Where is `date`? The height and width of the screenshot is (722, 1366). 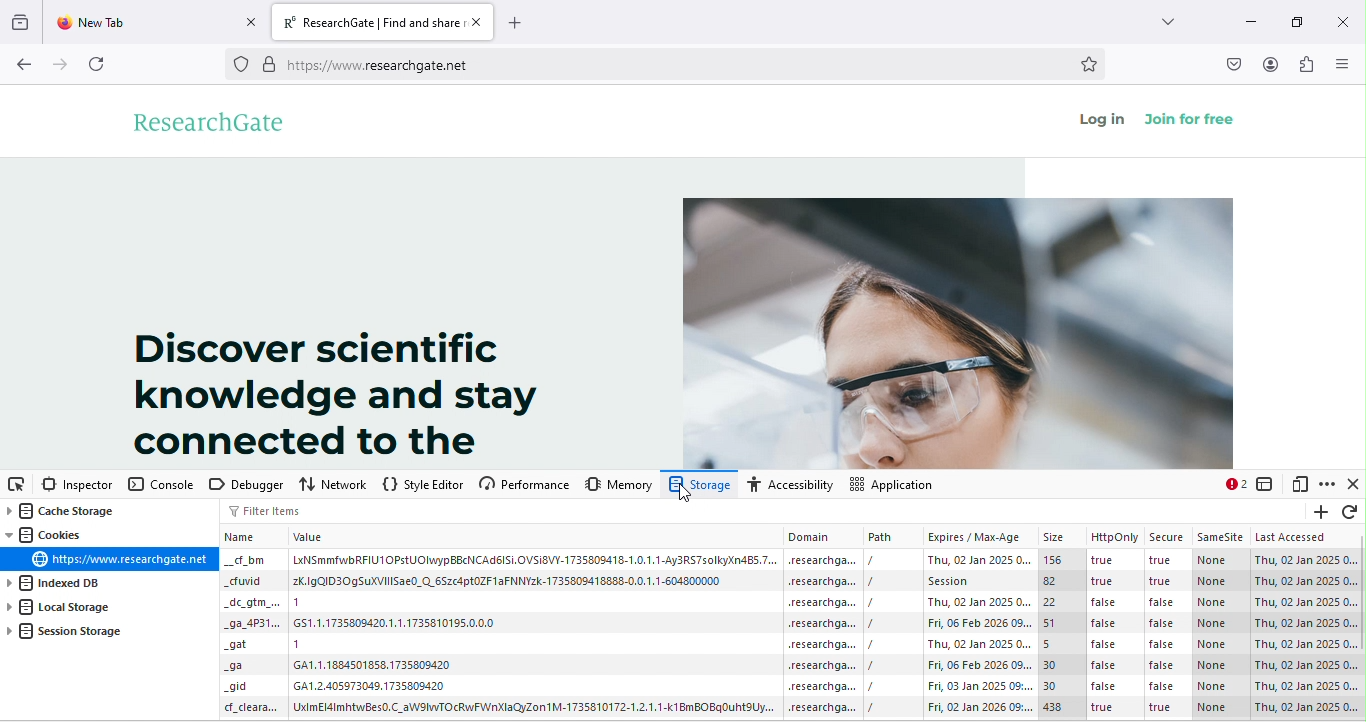
date is located at coordinates (1308, 623).